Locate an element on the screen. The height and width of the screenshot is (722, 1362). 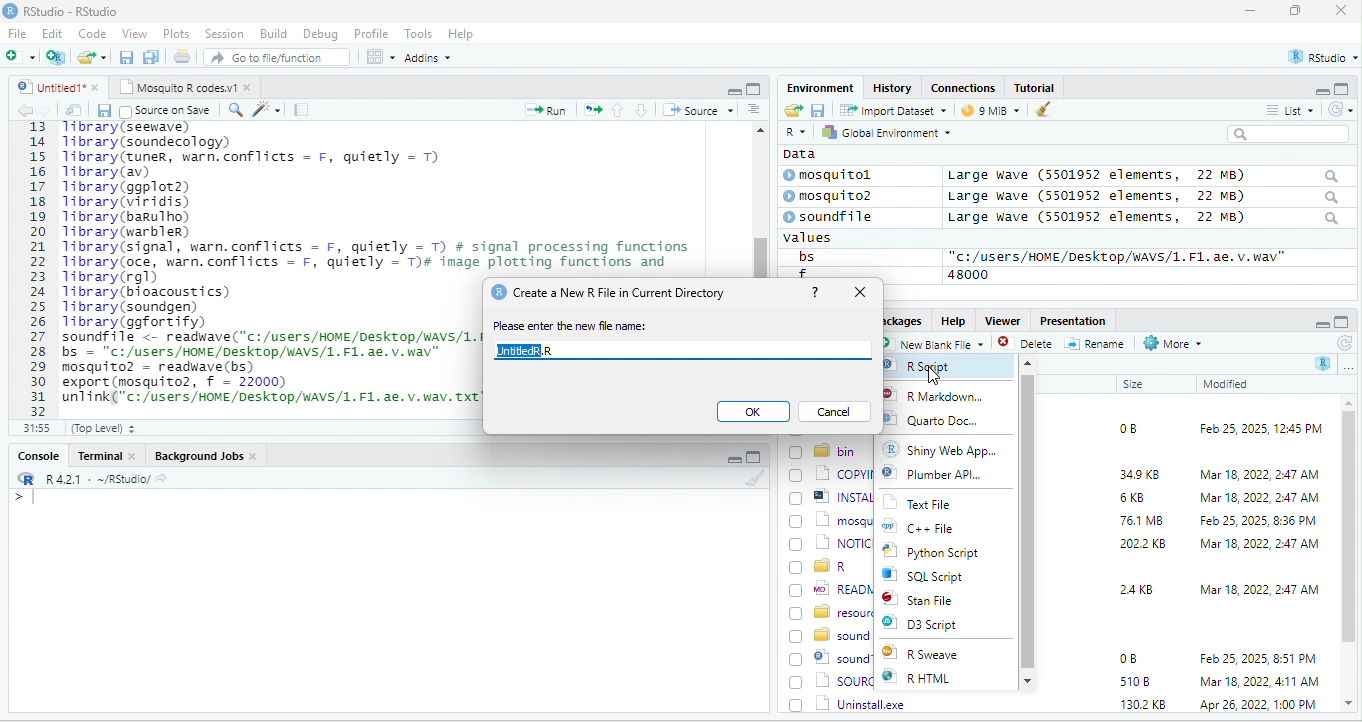
(Top Level) + is located at coordinates (103, 428).